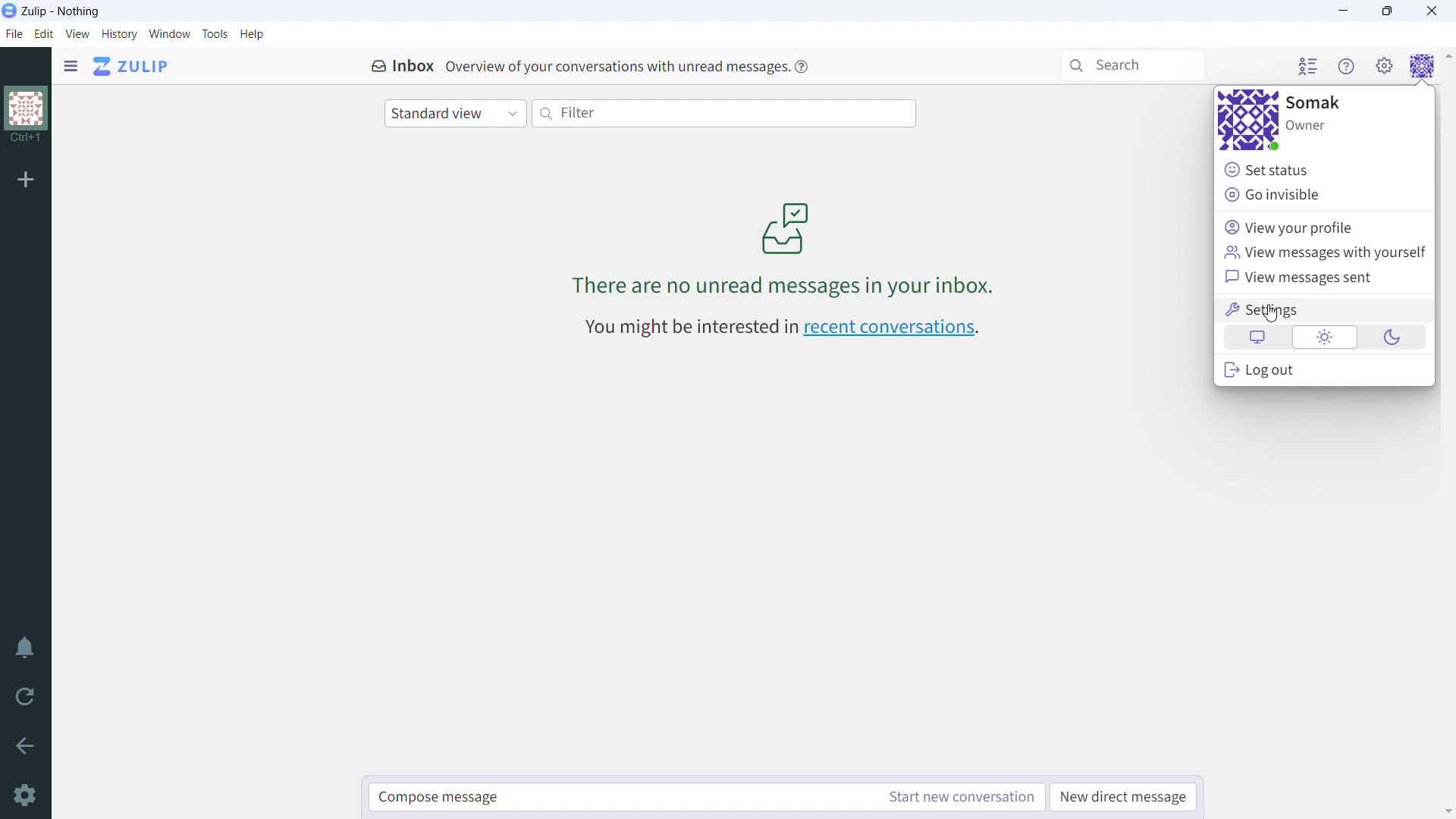  I want to click on There are no unread messages in your inbox., so click(791, 287).